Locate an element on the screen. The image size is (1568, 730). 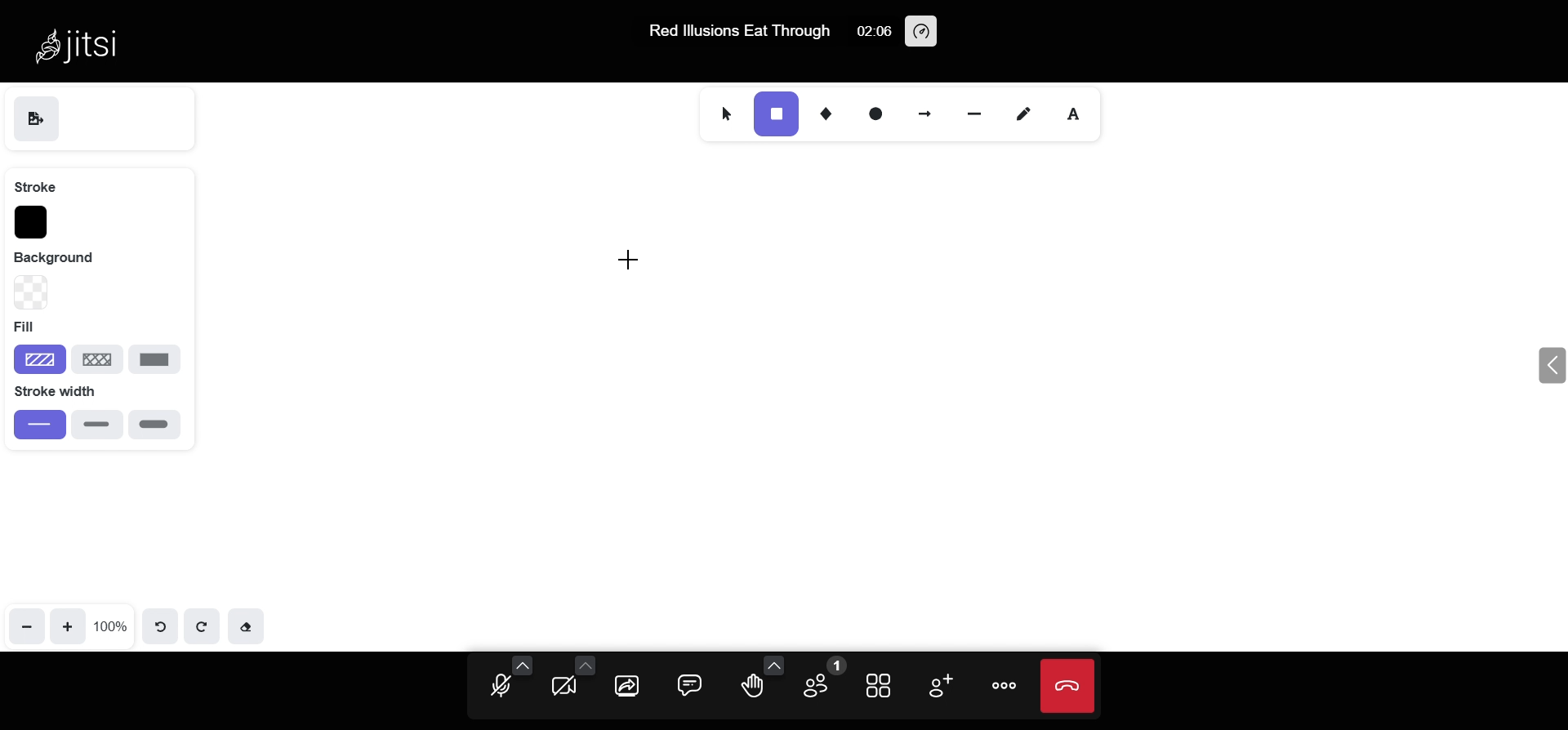
Red lllusions Eat Through is located at coordinates (733, 33).